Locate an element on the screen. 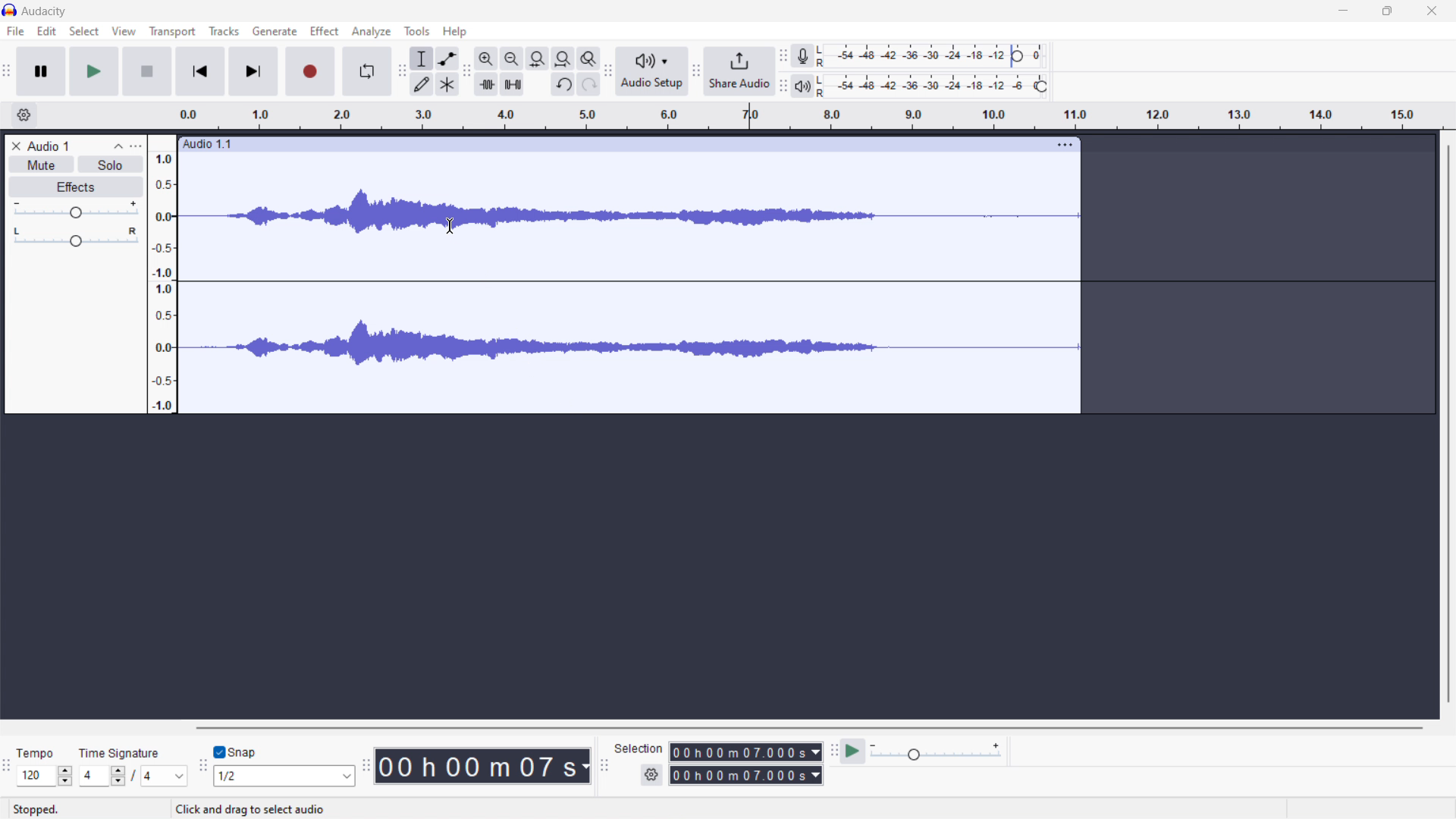 Image resolution: width=1456 pixels, height=819 pixels. logo is located at coordinates (11, 10).